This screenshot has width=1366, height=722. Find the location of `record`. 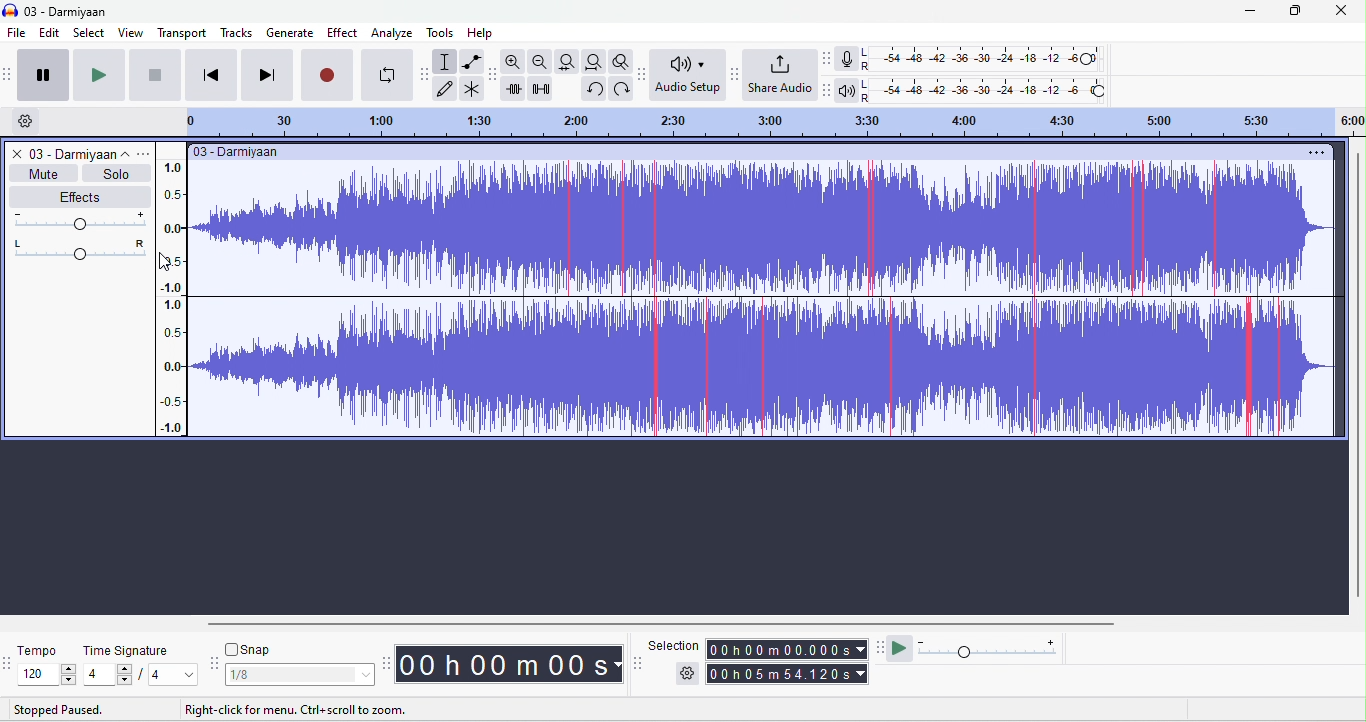

record is located at coordinates (329, 73).